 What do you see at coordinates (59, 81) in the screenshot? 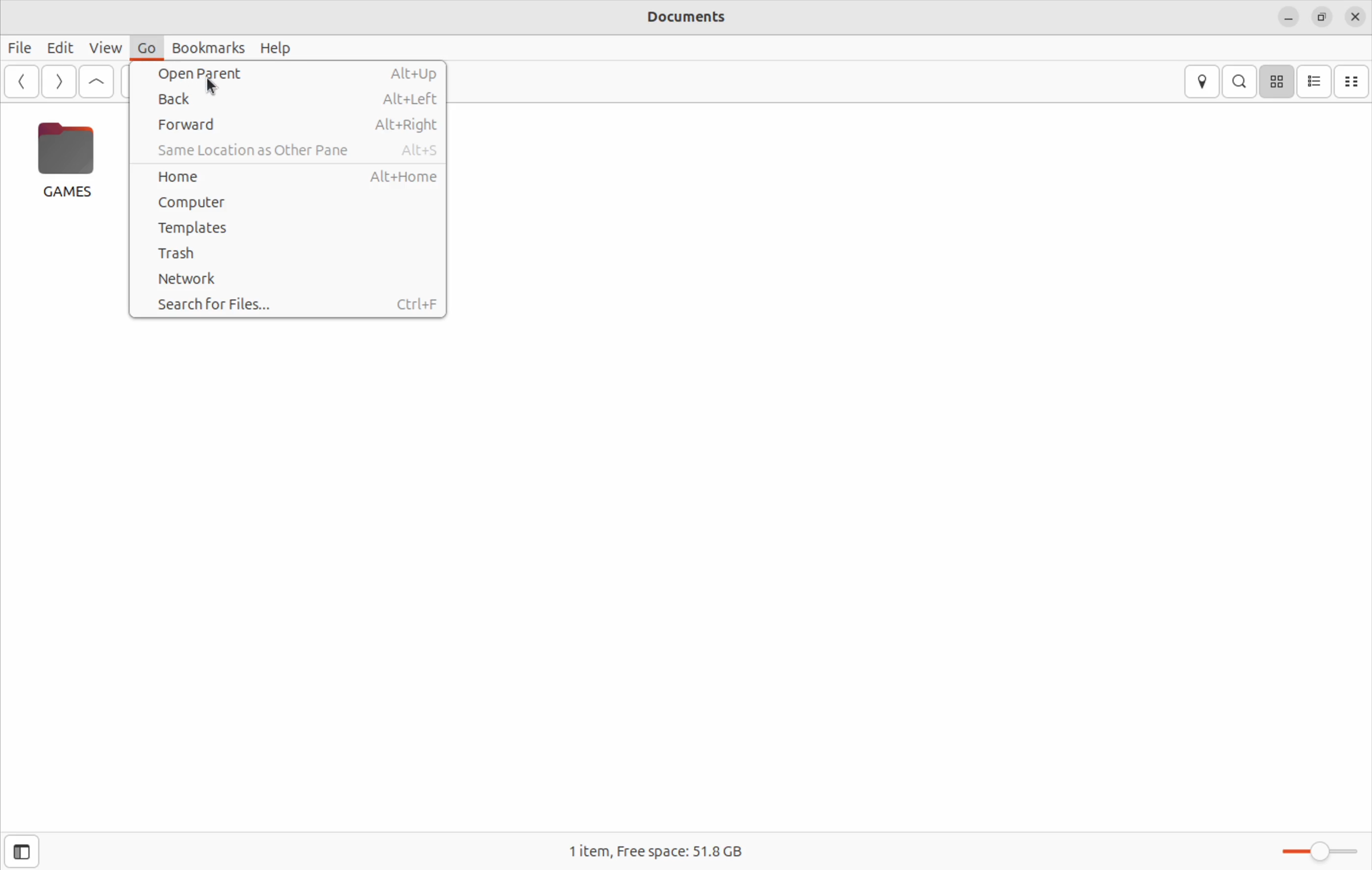
I see `Go forward` at bounding box center [59, 81].